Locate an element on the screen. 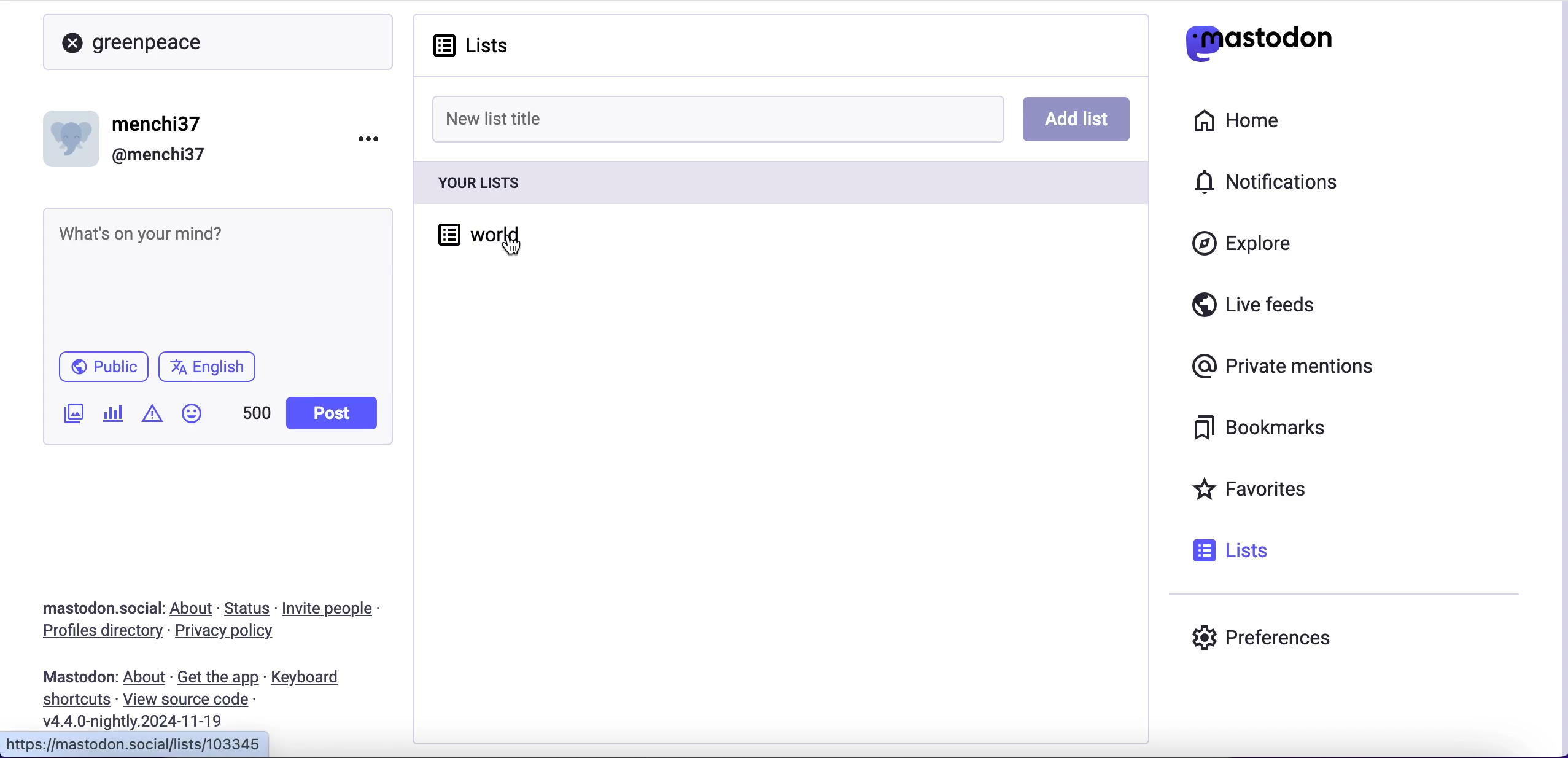  private mentions is located at coordinates (1287, 363).